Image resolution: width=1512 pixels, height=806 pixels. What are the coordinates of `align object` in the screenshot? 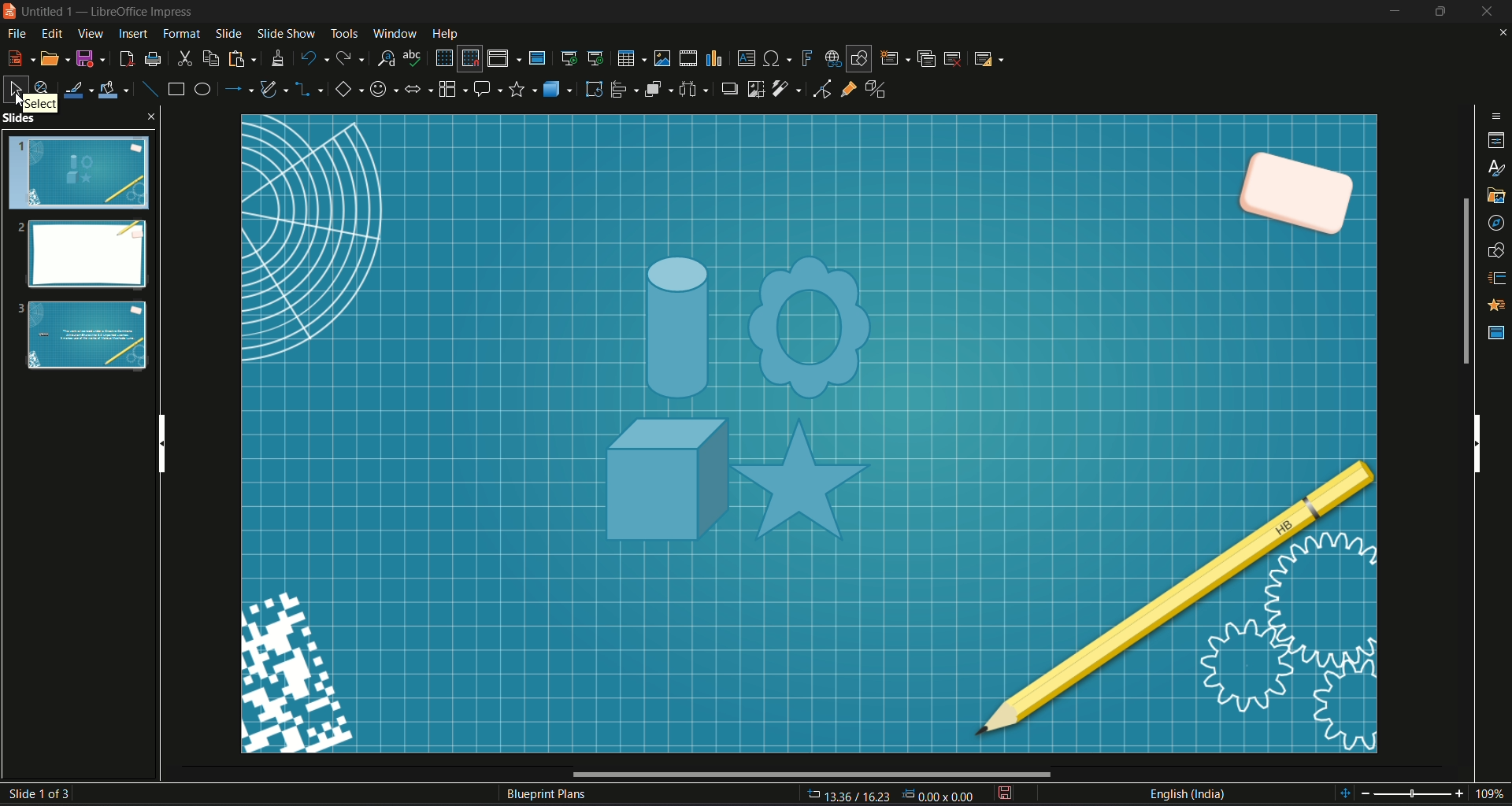 It's located at (624, 89).